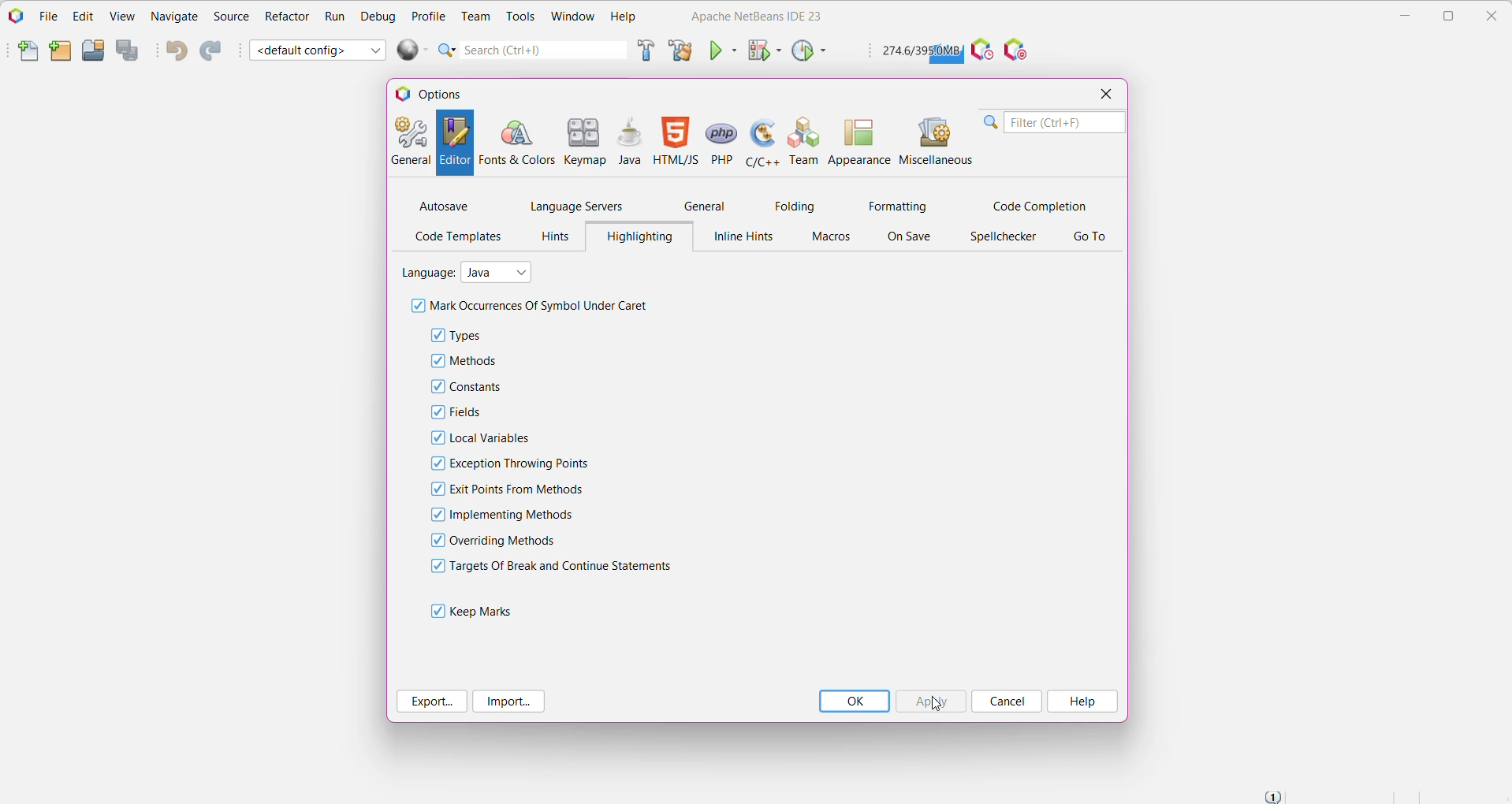  I want to click on Exit Points From Methods - click to enable, so click(516, 489).